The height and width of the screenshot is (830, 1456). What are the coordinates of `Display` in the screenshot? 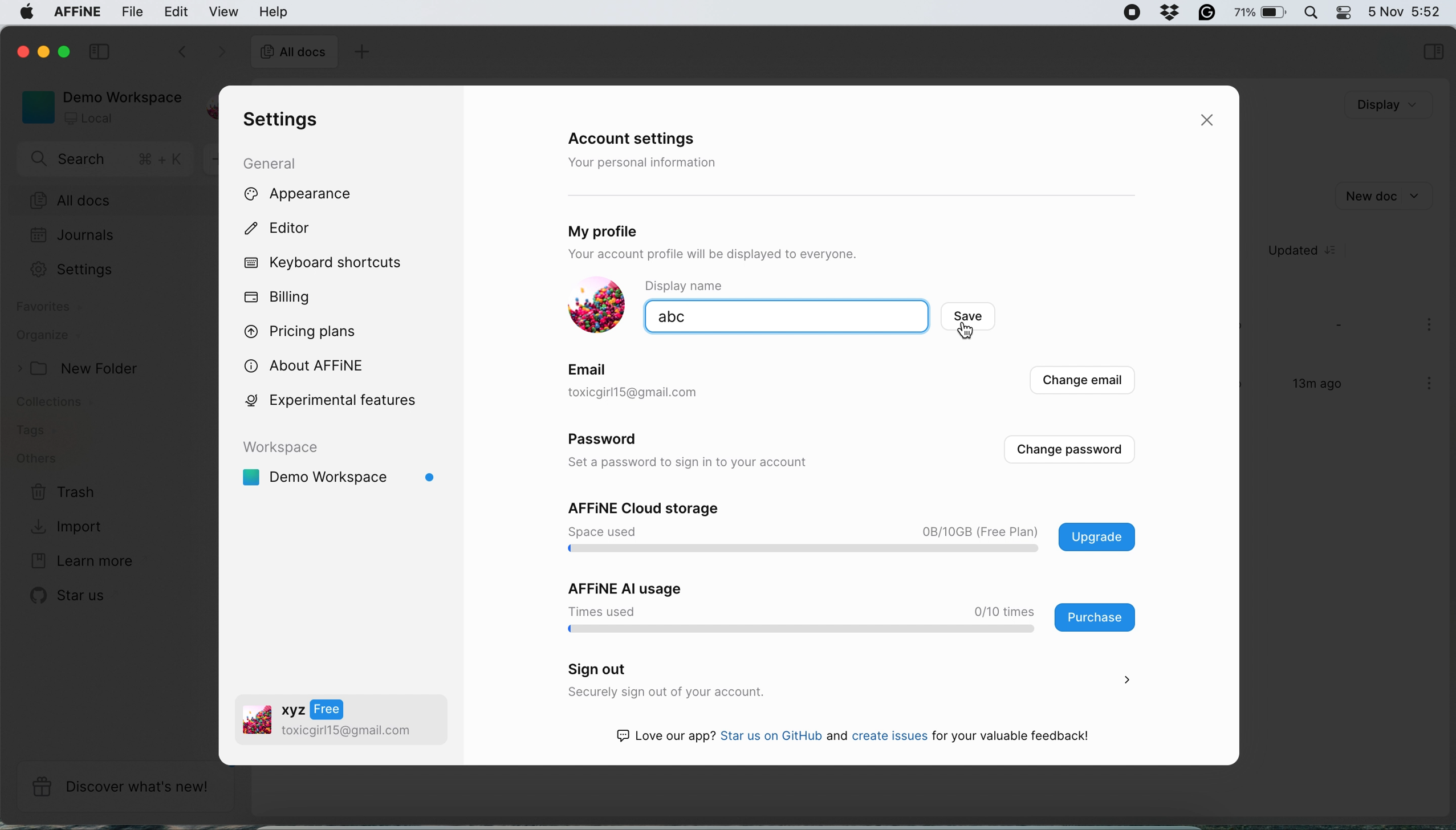 It's located at (1370, 105).